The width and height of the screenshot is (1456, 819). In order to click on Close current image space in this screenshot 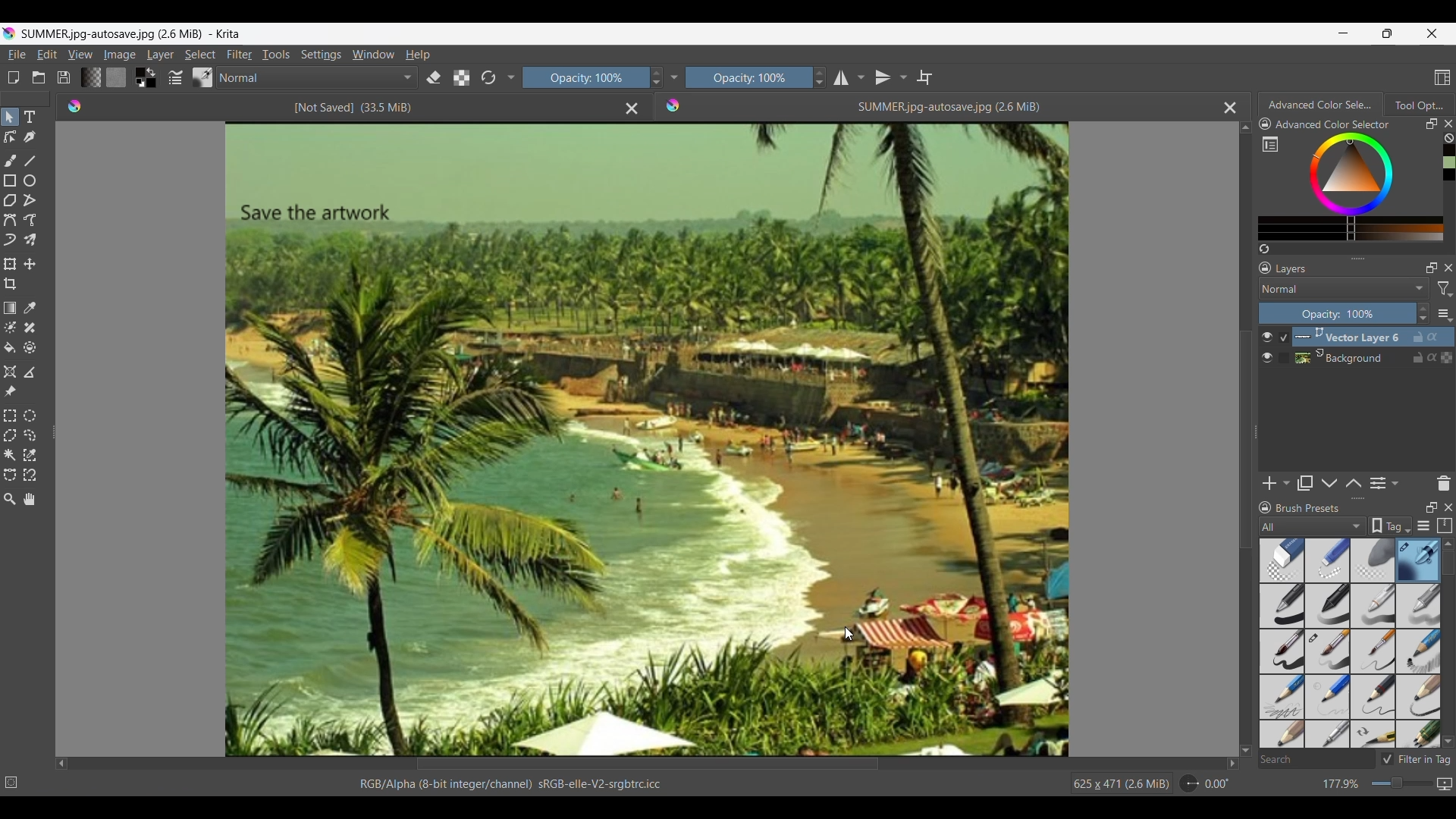, I will do `click(1230, 108)`.